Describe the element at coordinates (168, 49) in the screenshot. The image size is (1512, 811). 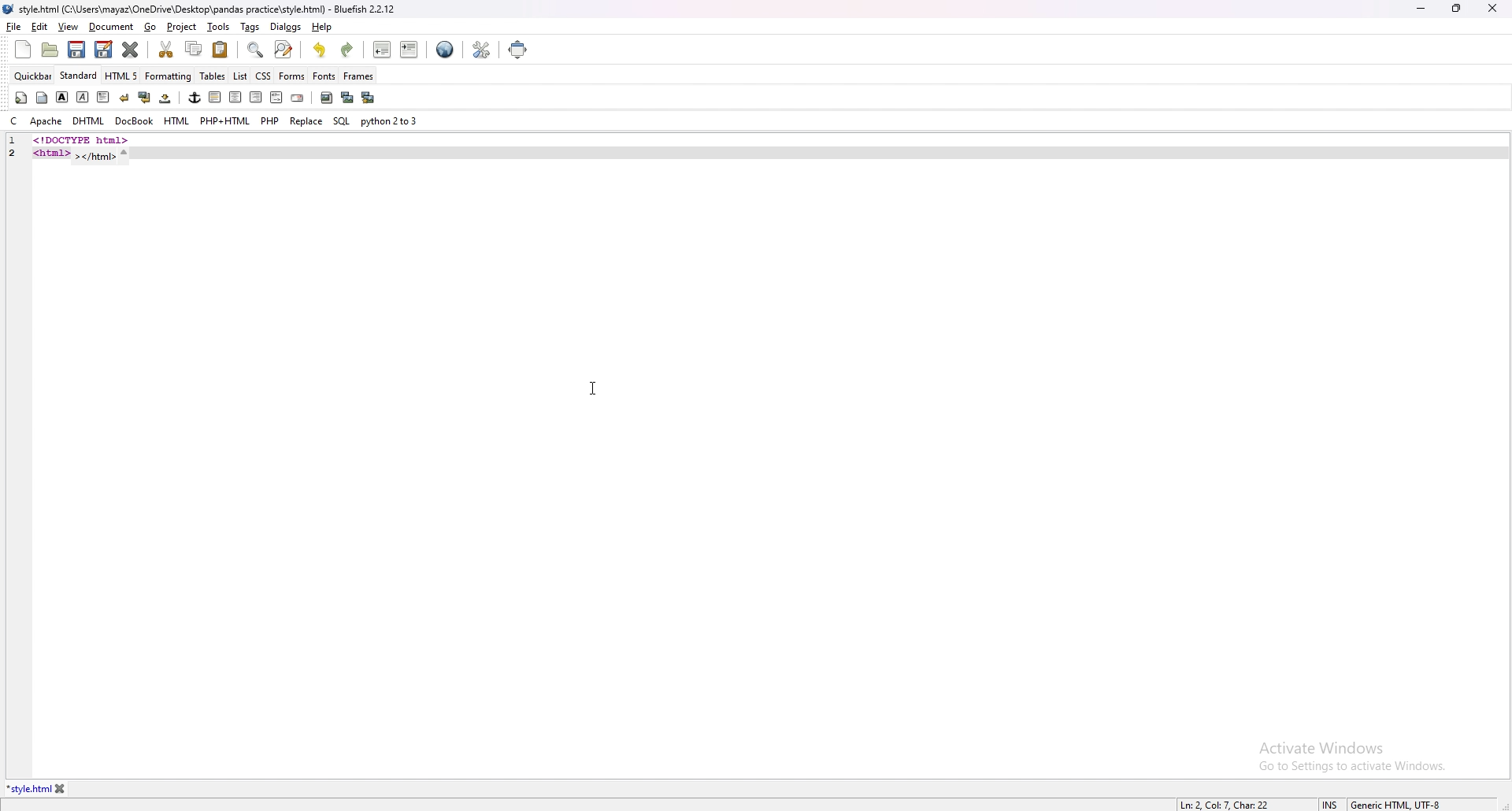
I see `cut` at that location.